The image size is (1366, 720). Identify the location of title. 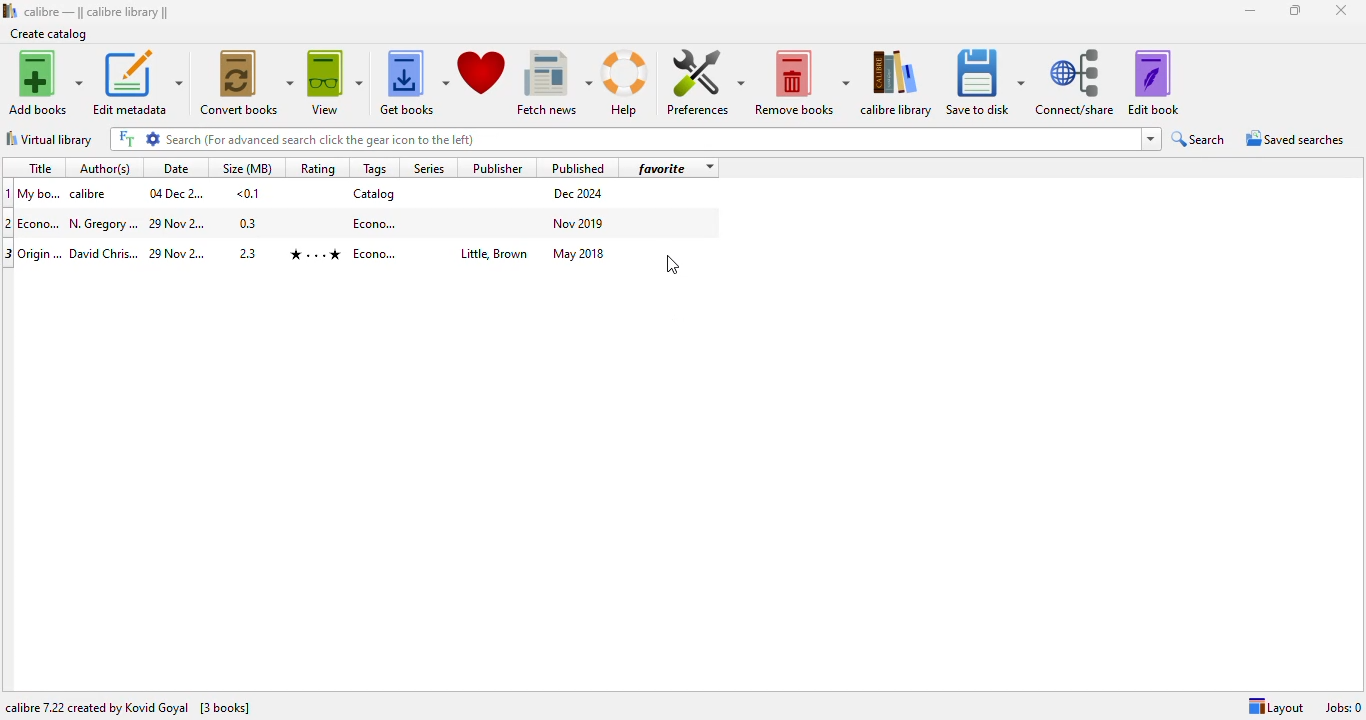
(39, 168).